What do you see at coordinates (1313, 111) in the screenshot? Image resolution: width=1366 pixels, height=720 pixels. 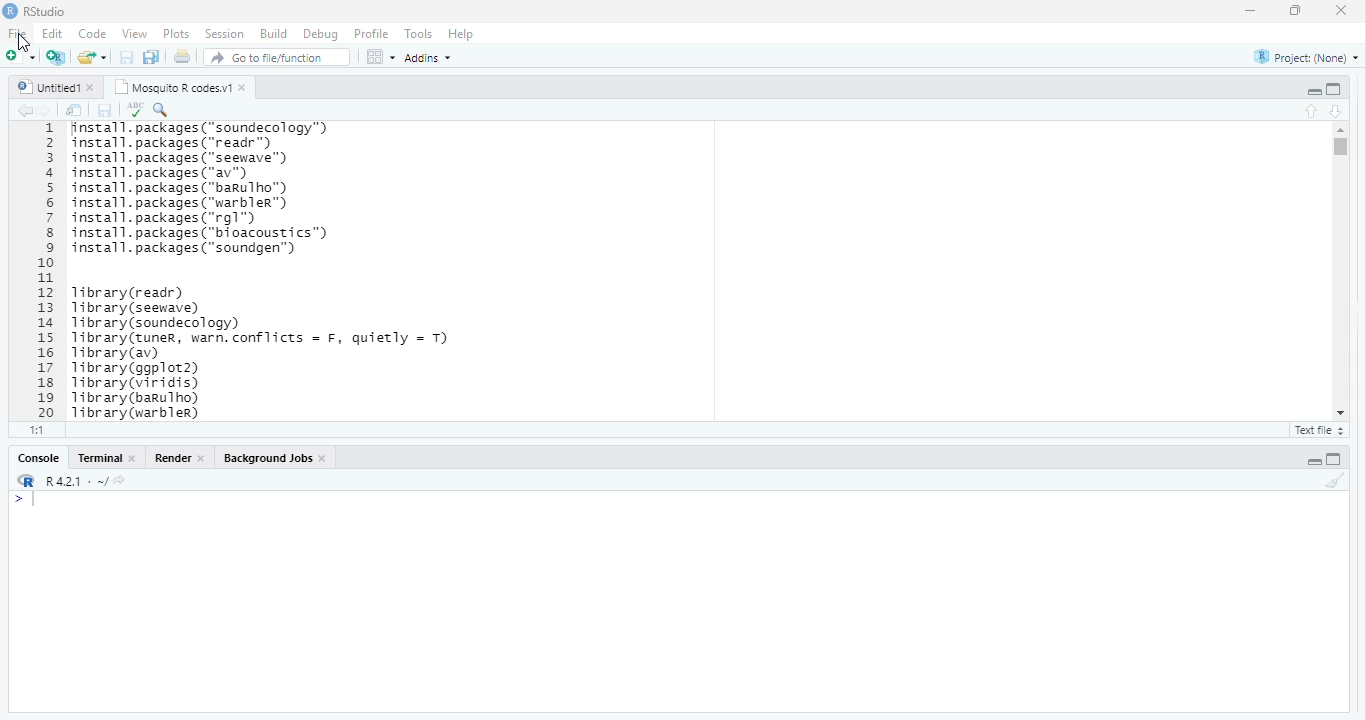 I see `top` at bounding box center [1313, 111].